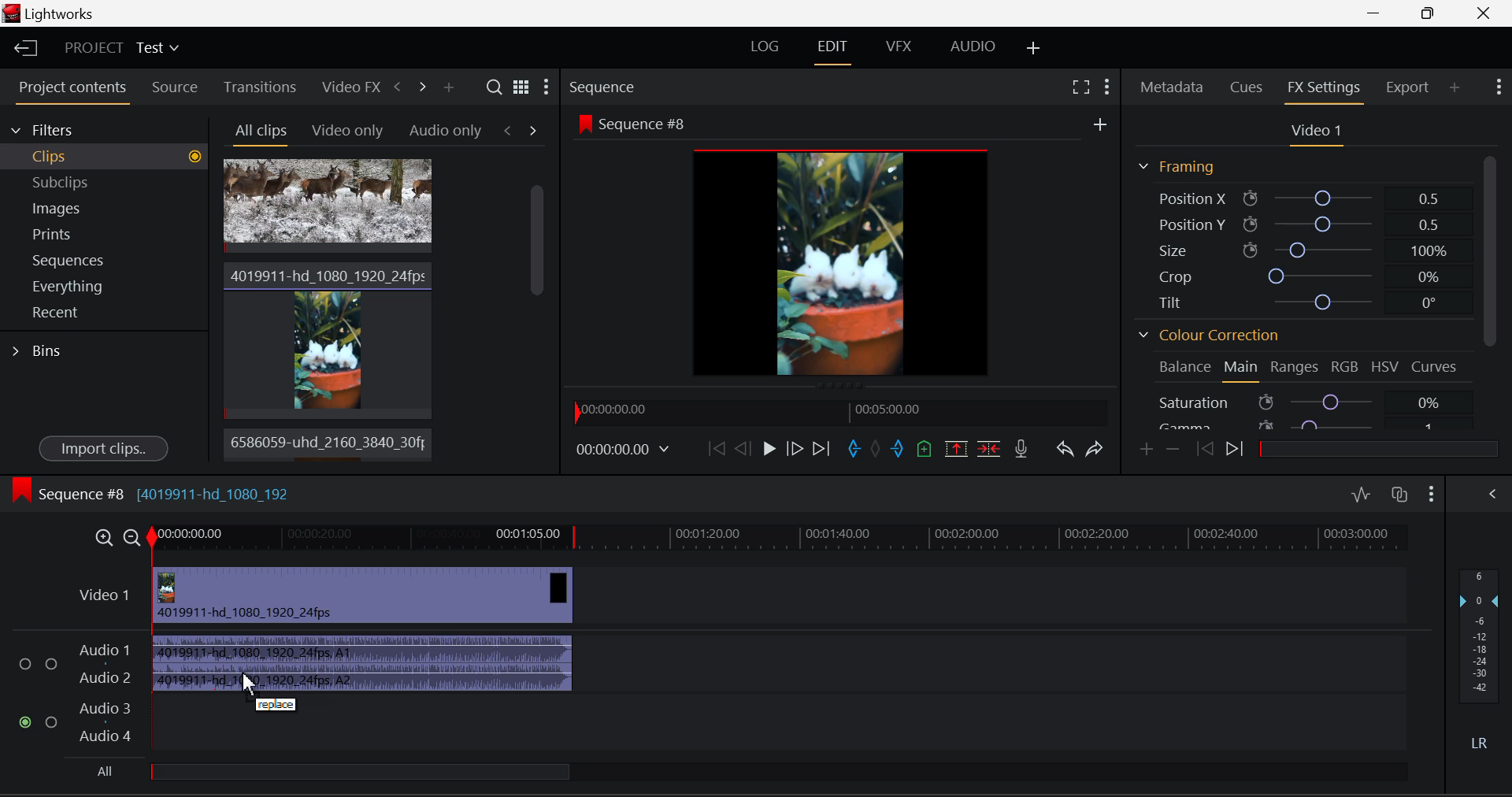 This screenshot has width=1512, height=797. What do you see at coordinates (106, 600) in the screenshot?
I see `Video Layer` at bounding box center [106, 600].